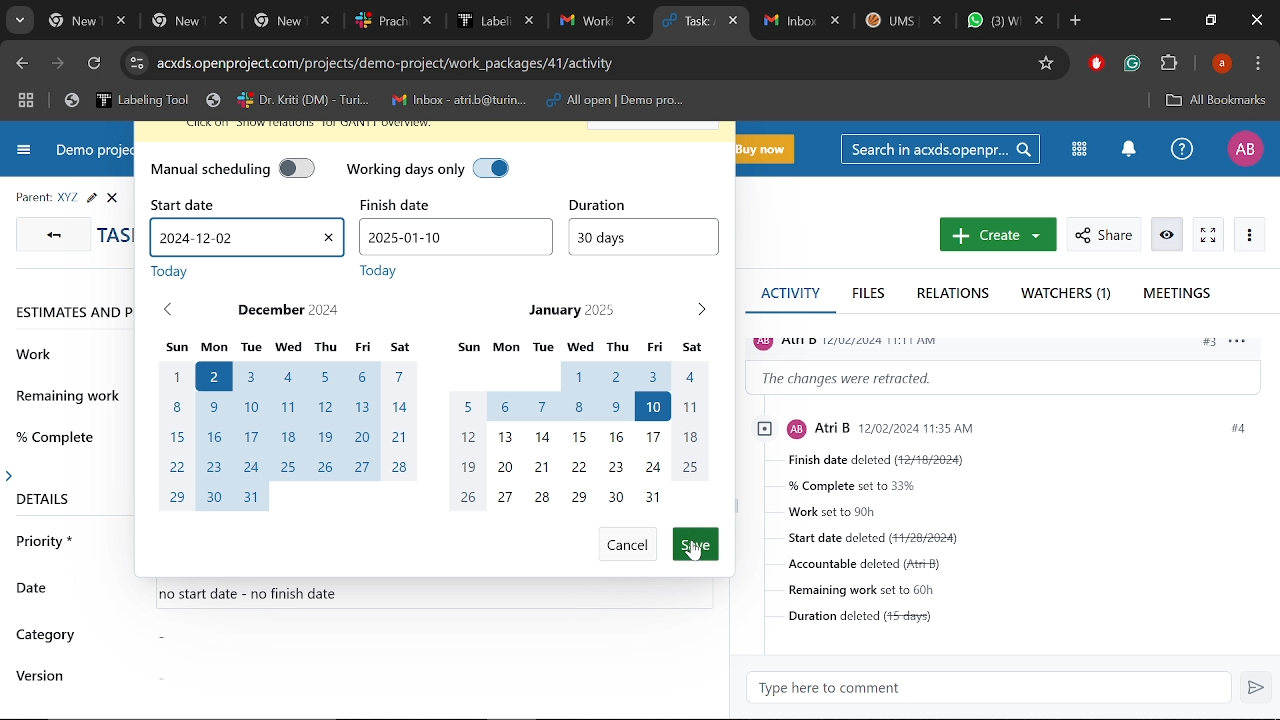 This screenshot has height=720, width=1280. What do you see at coordinates (1236, 428) in the screenshot?
I see `#4` at bounding box center [1236, 428].